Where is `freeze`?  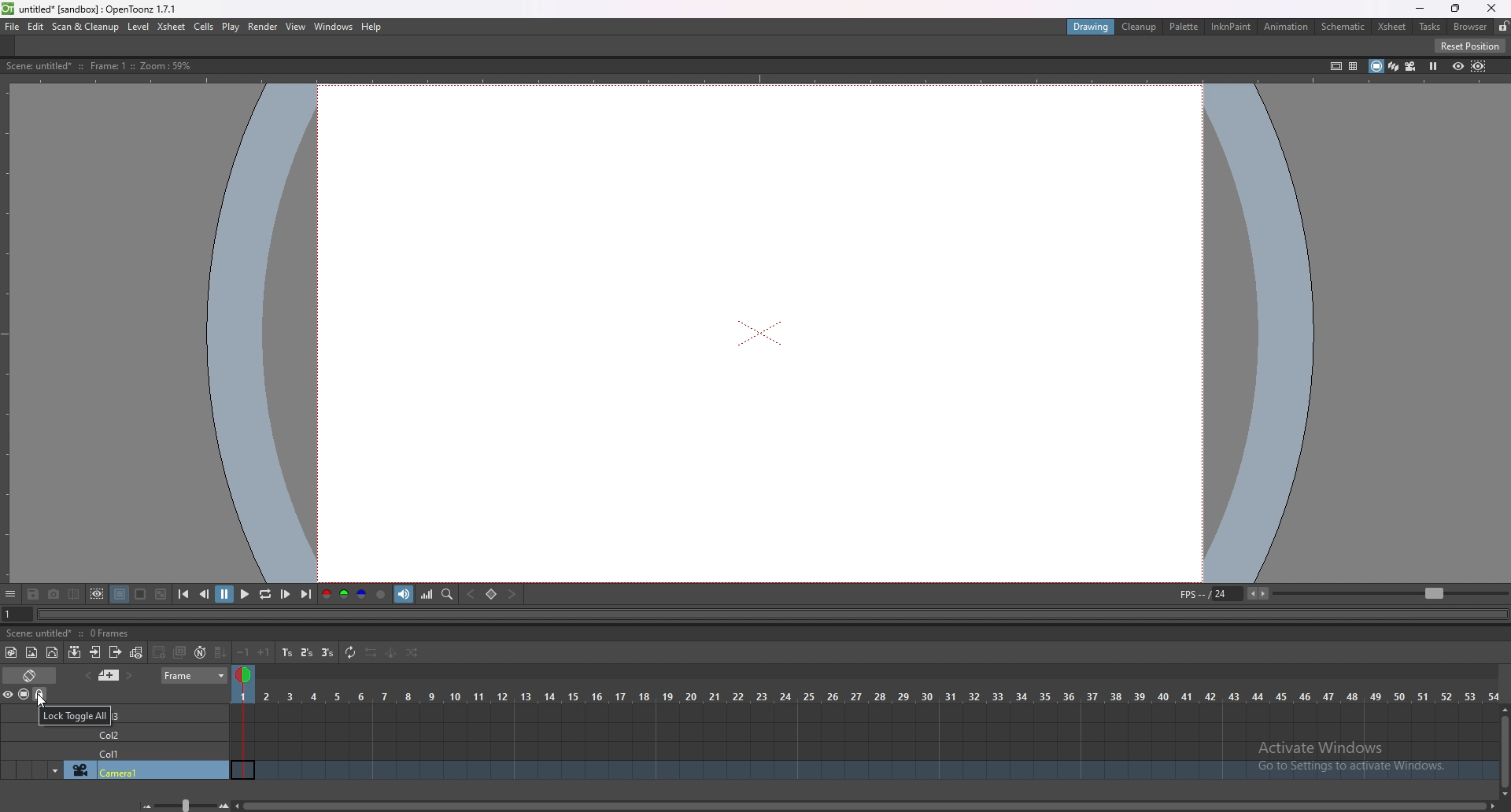 freeze is located at coordinates (1435, 65).